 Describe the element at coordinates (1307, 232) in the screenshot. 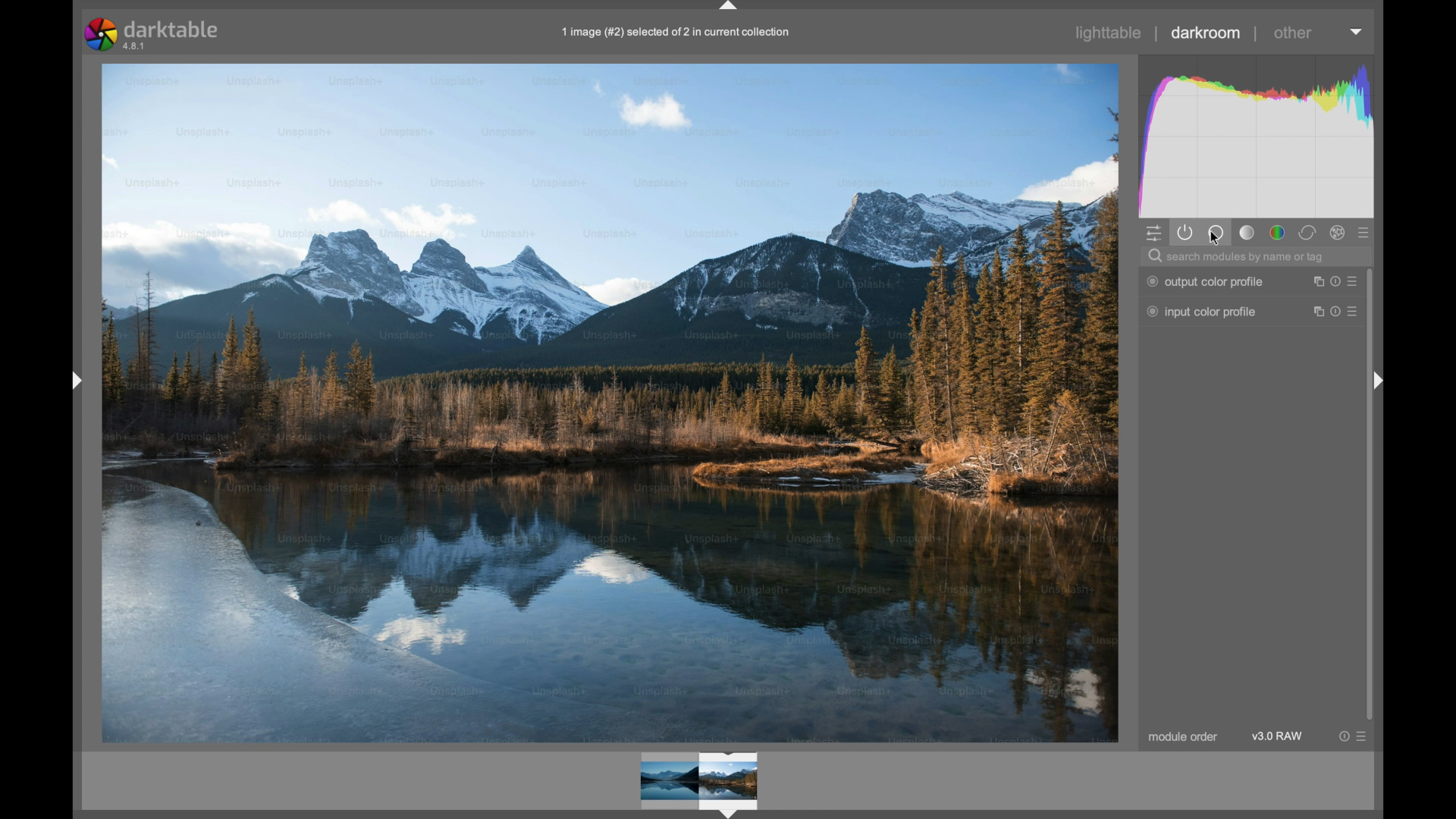

I see `corrector` at that location.